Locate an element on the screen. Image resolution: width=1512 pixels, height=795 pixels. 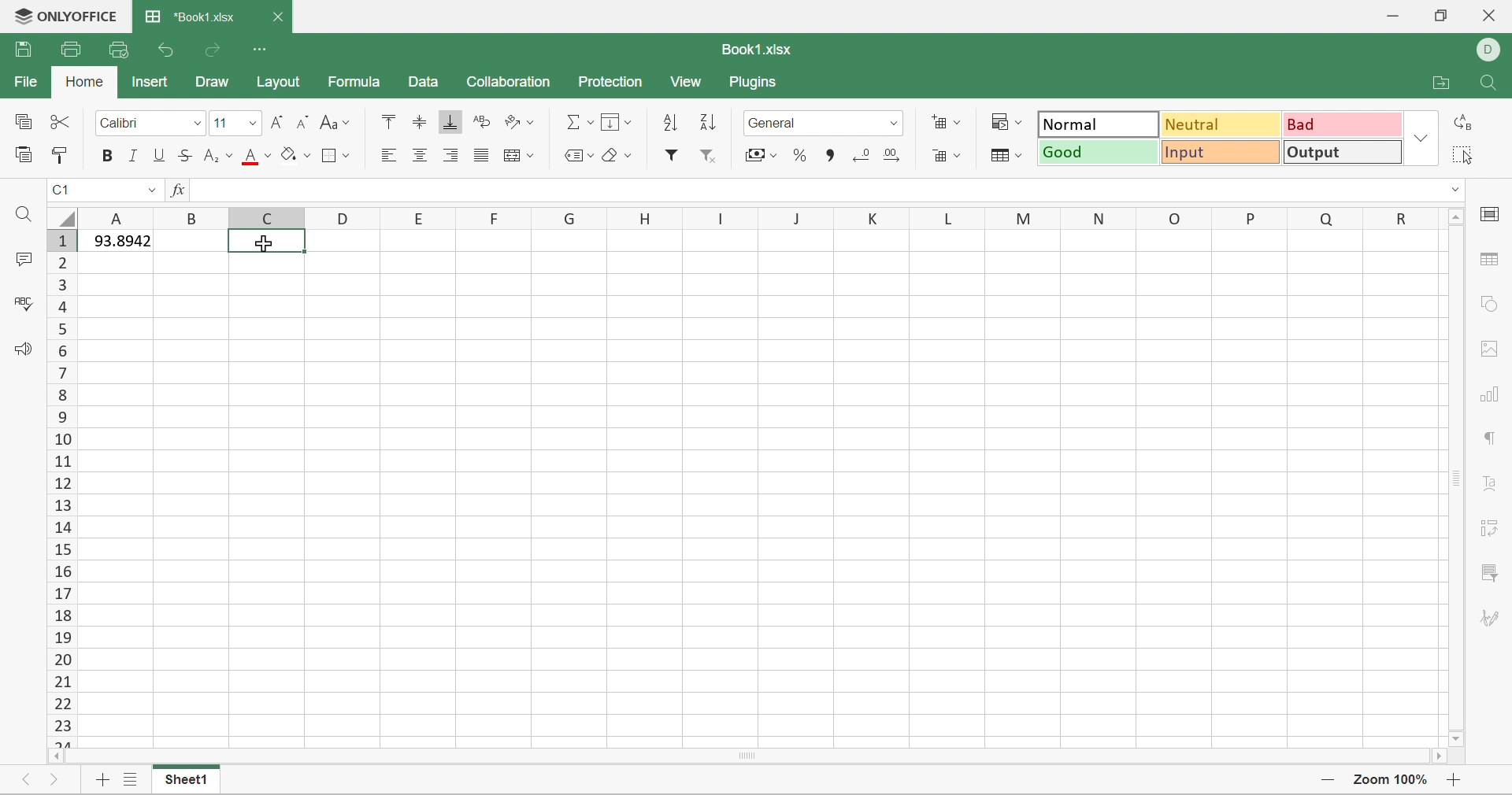
Remove filter is located at coordinates (712, 155).